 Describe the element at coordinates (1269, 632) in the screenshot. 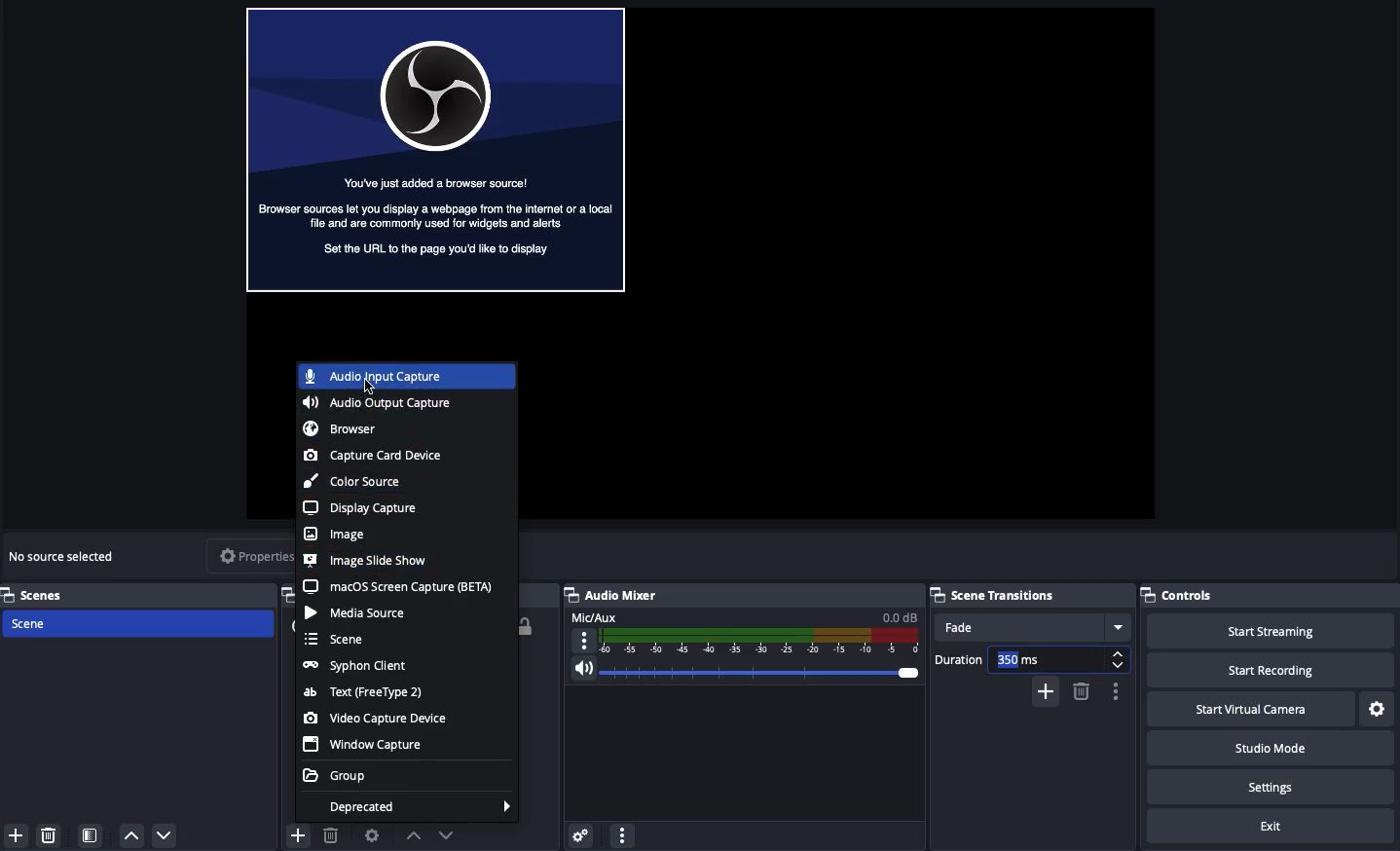

I see `Start streaming` at that location.